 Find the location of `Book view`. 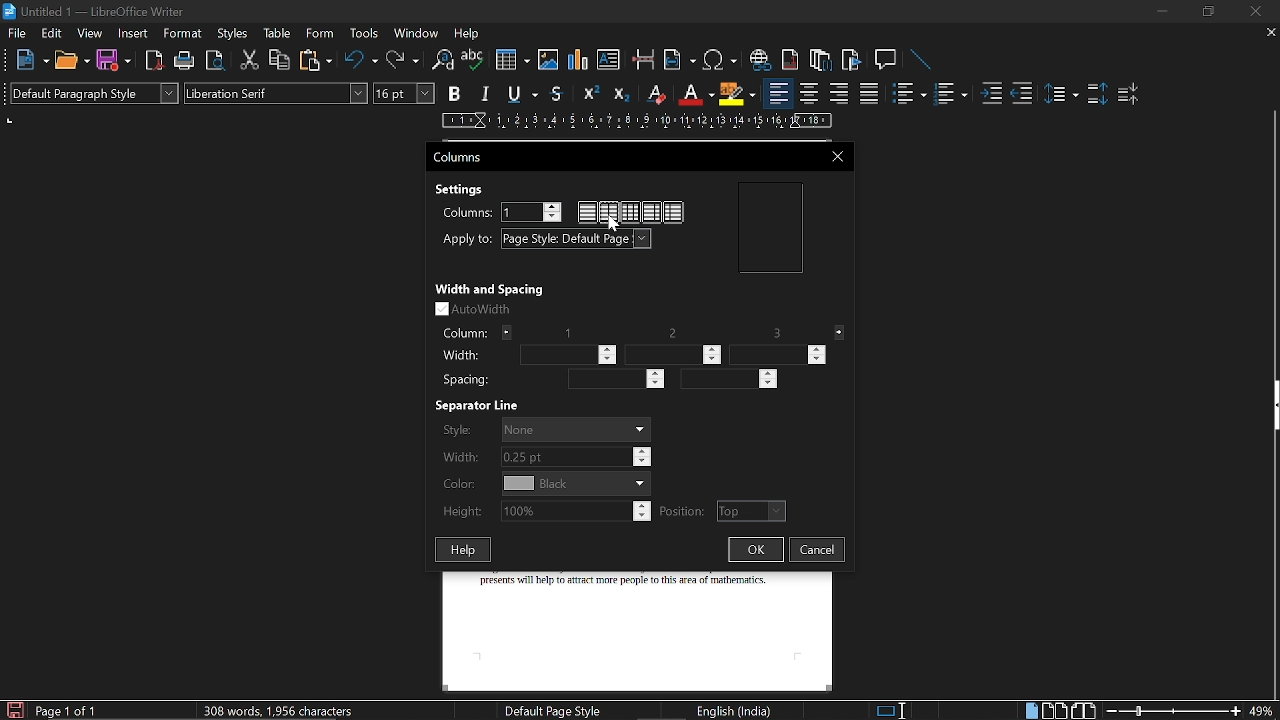

Book view is located at coordinates (1085, 706).